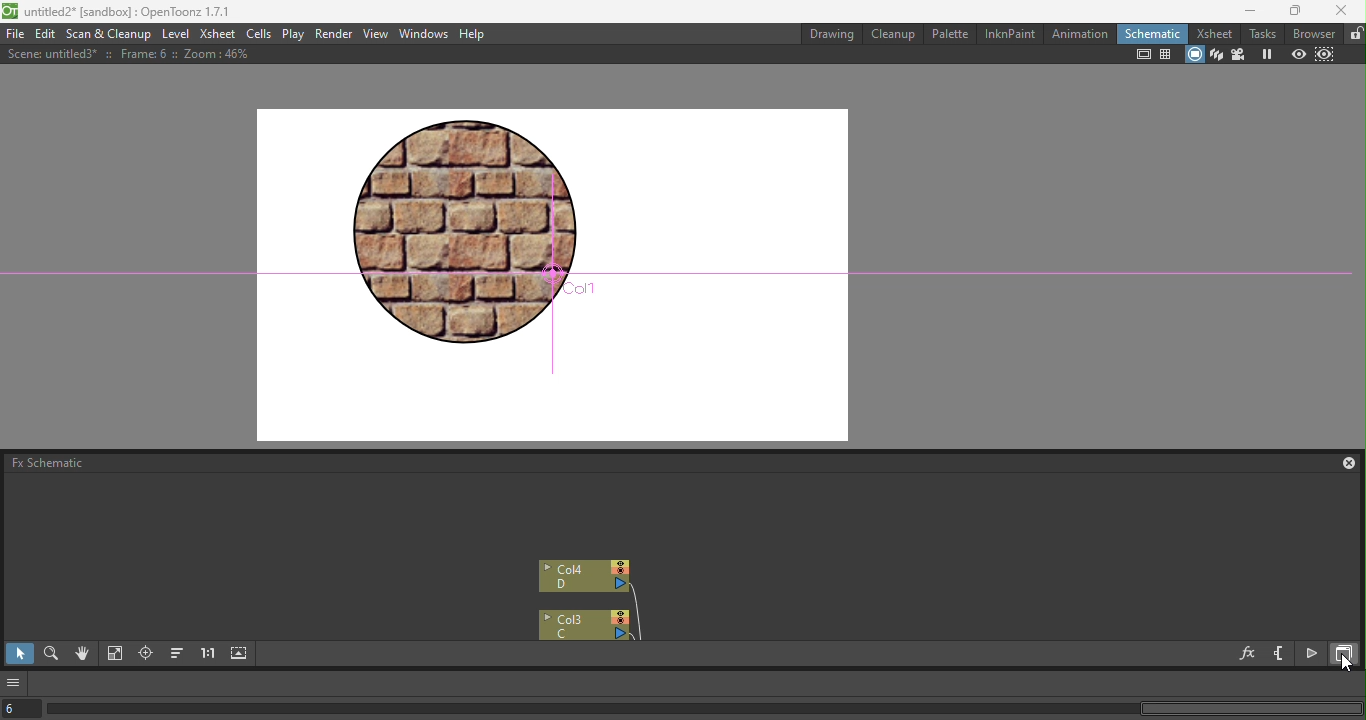 This screenshot has width=1366, height=720. I want to click on Camera stand view, so click(1194, 55).